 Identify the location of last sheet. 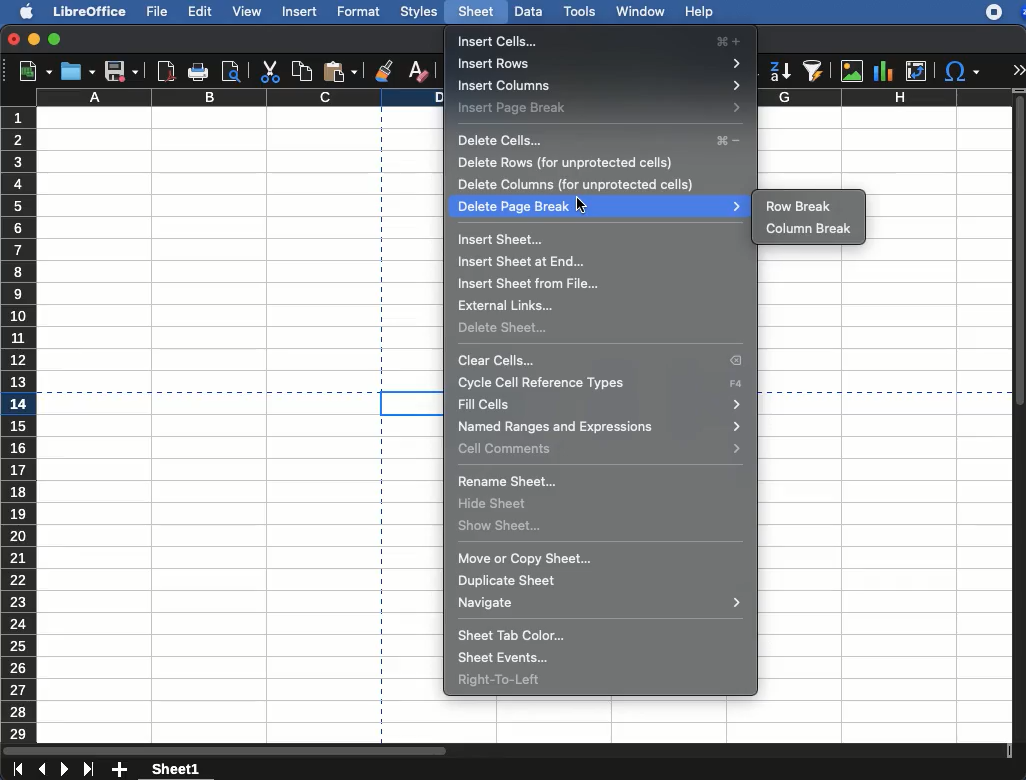
(17, 770).